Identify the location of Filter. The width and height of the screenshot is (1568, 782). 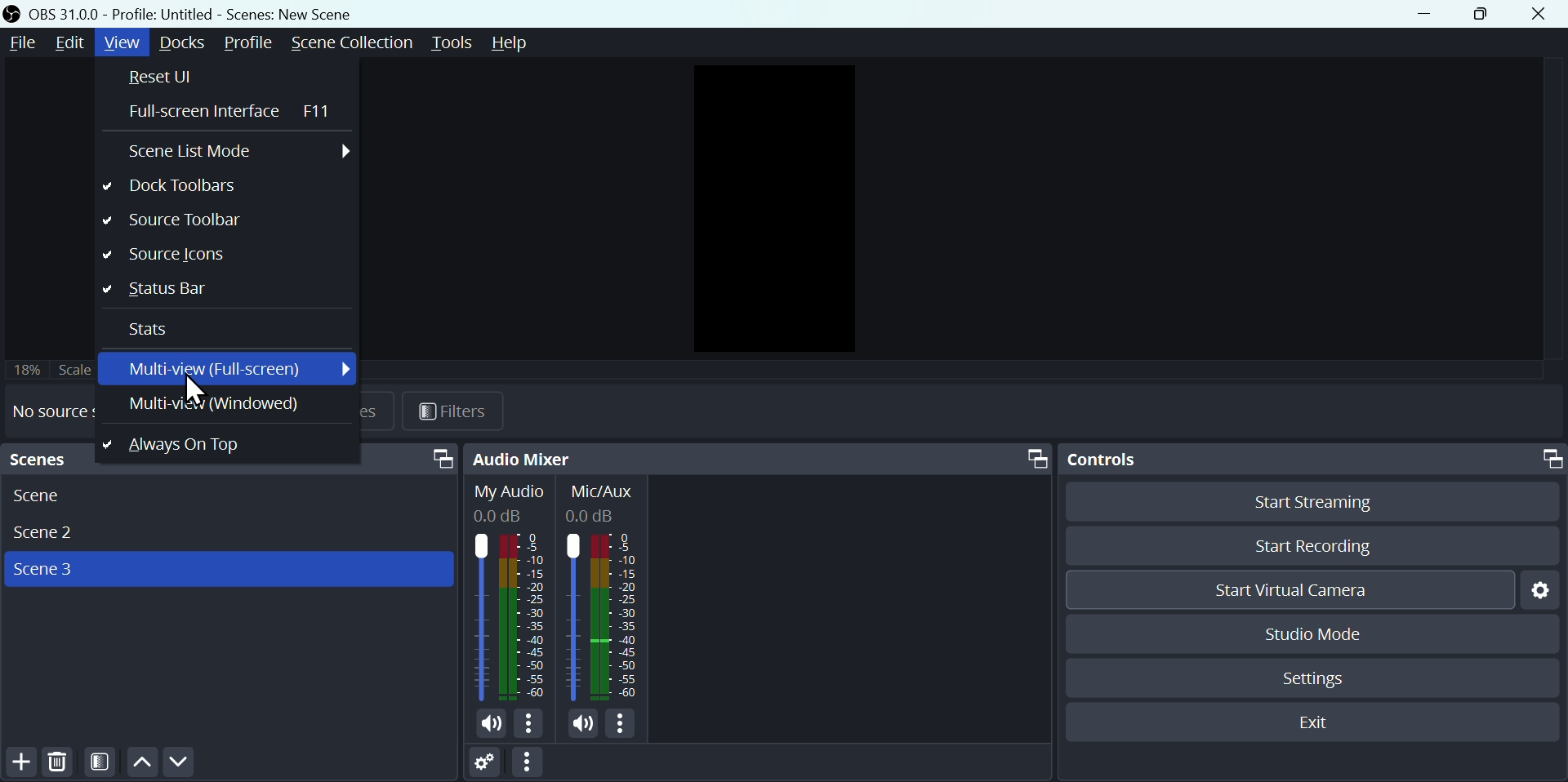
(458, 410).